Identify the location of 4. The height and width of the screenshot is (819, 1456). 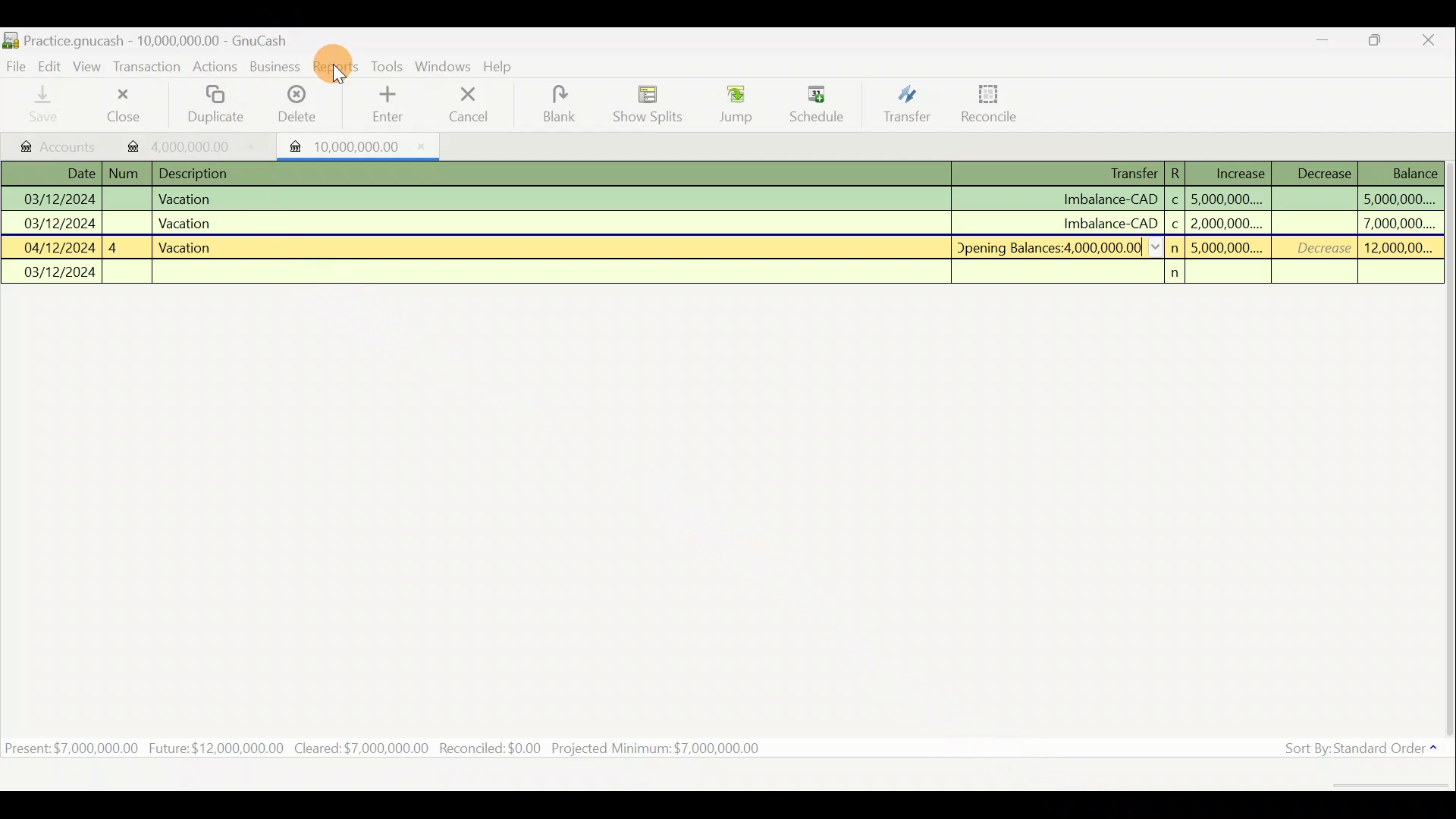
(115, 247).